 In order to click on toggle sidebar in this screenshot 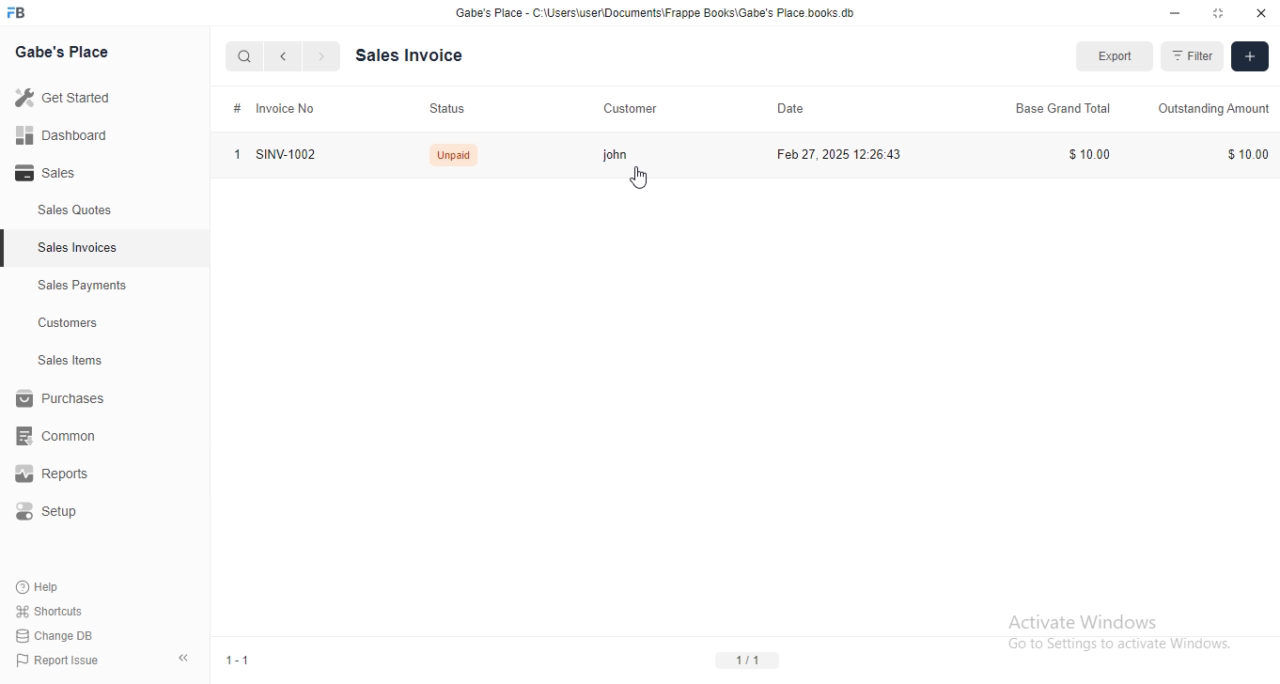, I will do `click(185, 657)`.